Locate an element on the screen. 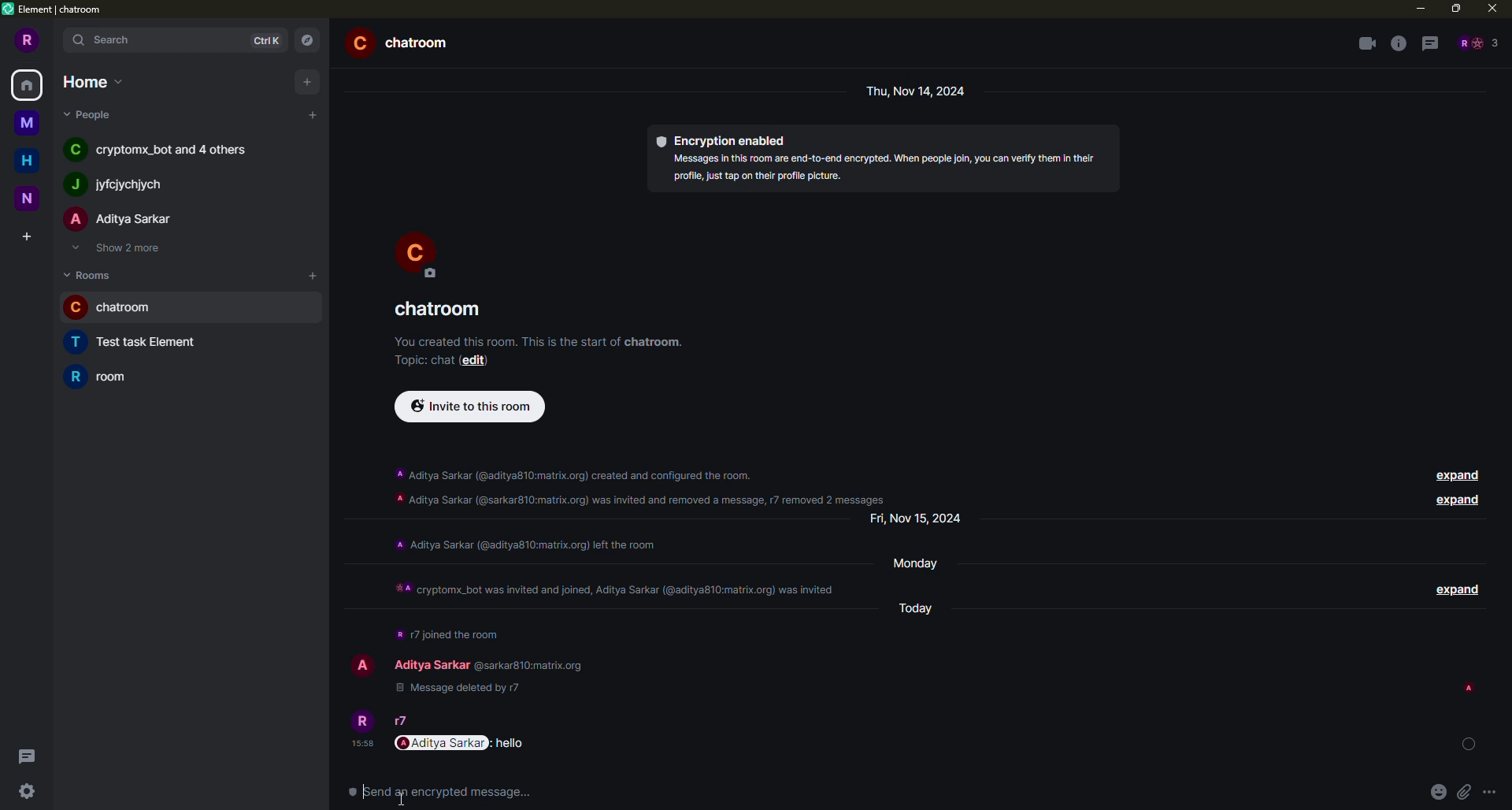 The height and width of the screenshot is (810, 1512). space is located at coordinates (31, 199).